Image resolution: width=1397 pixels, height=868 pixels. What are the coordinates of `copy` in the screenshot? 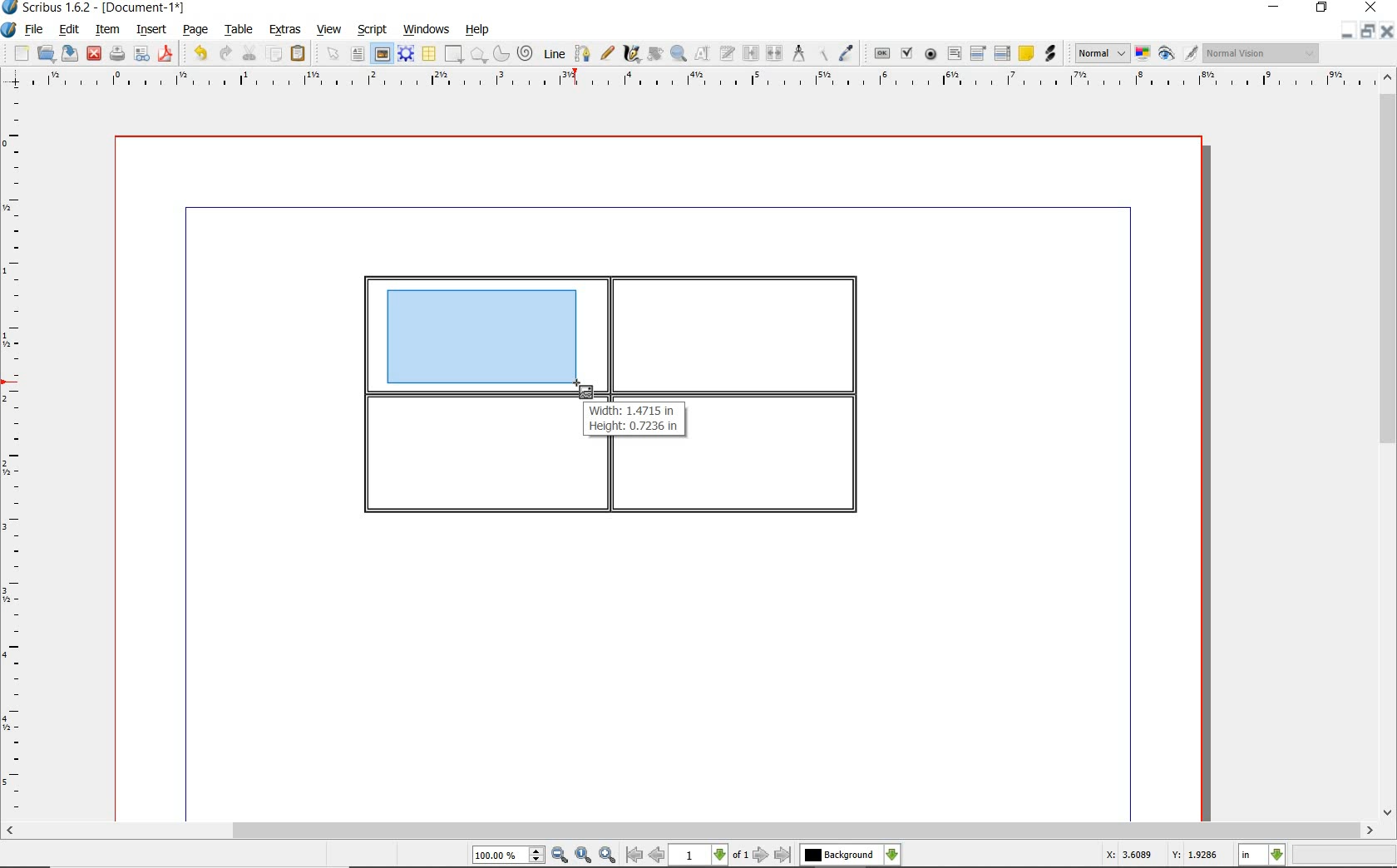 It's located at (275, 55).